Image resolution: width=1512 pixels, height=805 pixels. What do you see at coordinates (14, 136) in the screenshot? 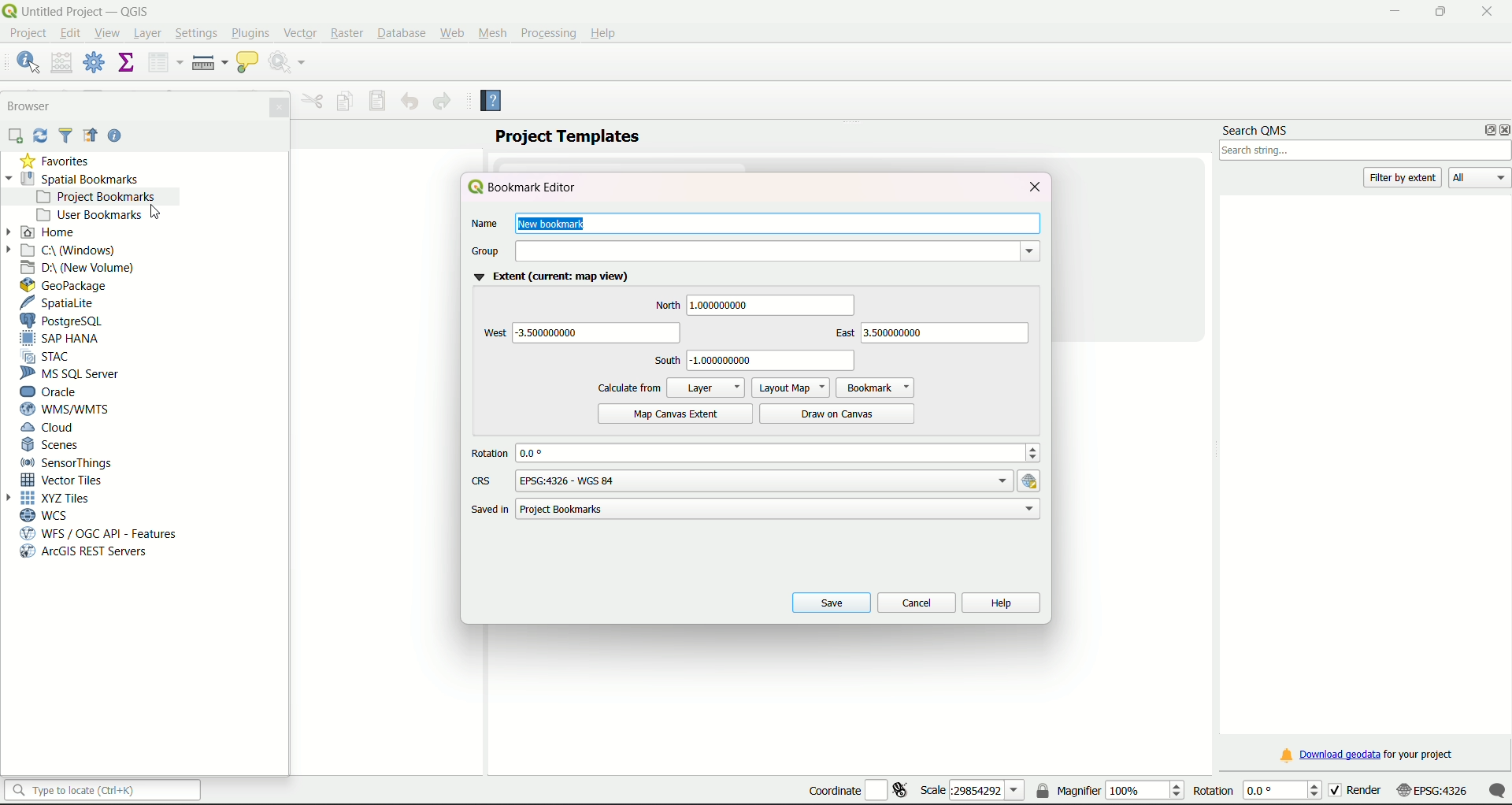
I see `add` at bounding box center [14, 136].